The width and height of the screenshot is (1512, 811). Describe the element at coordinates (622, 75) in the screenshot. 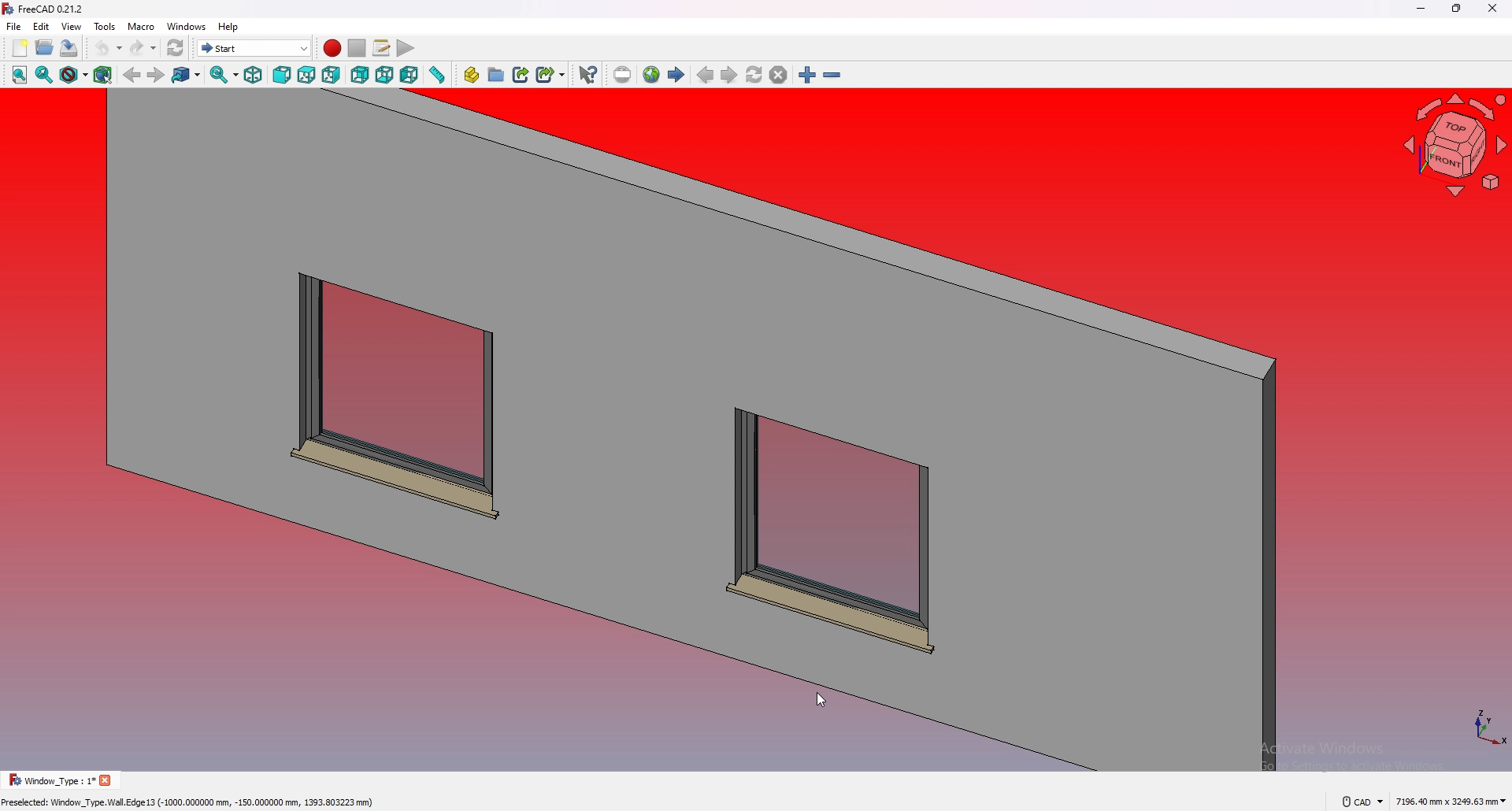

I see `set url` at that location.